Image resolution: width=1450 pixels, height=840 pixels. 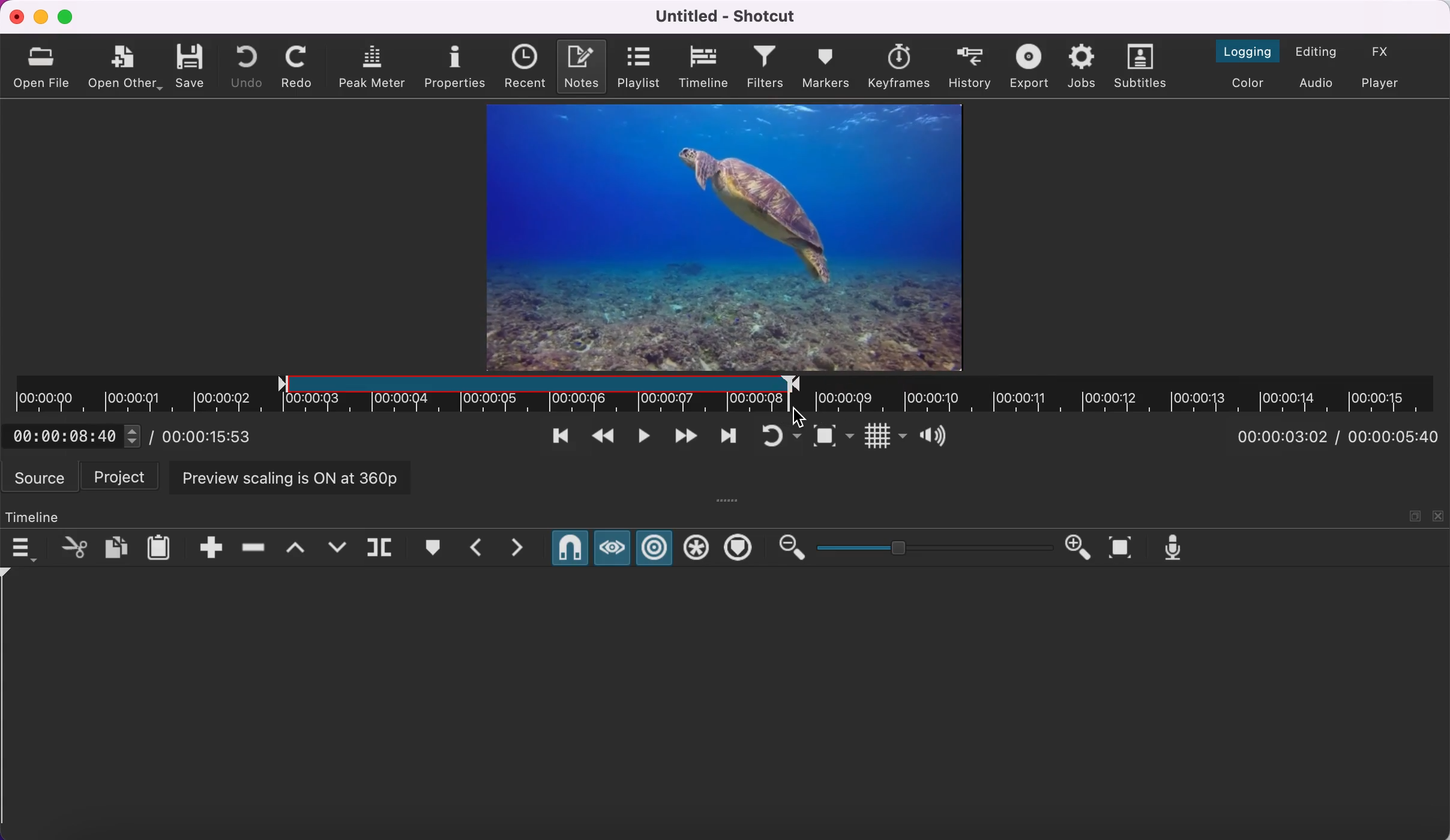 I want to click on play quickly backwards, so click(x=602, y=438).